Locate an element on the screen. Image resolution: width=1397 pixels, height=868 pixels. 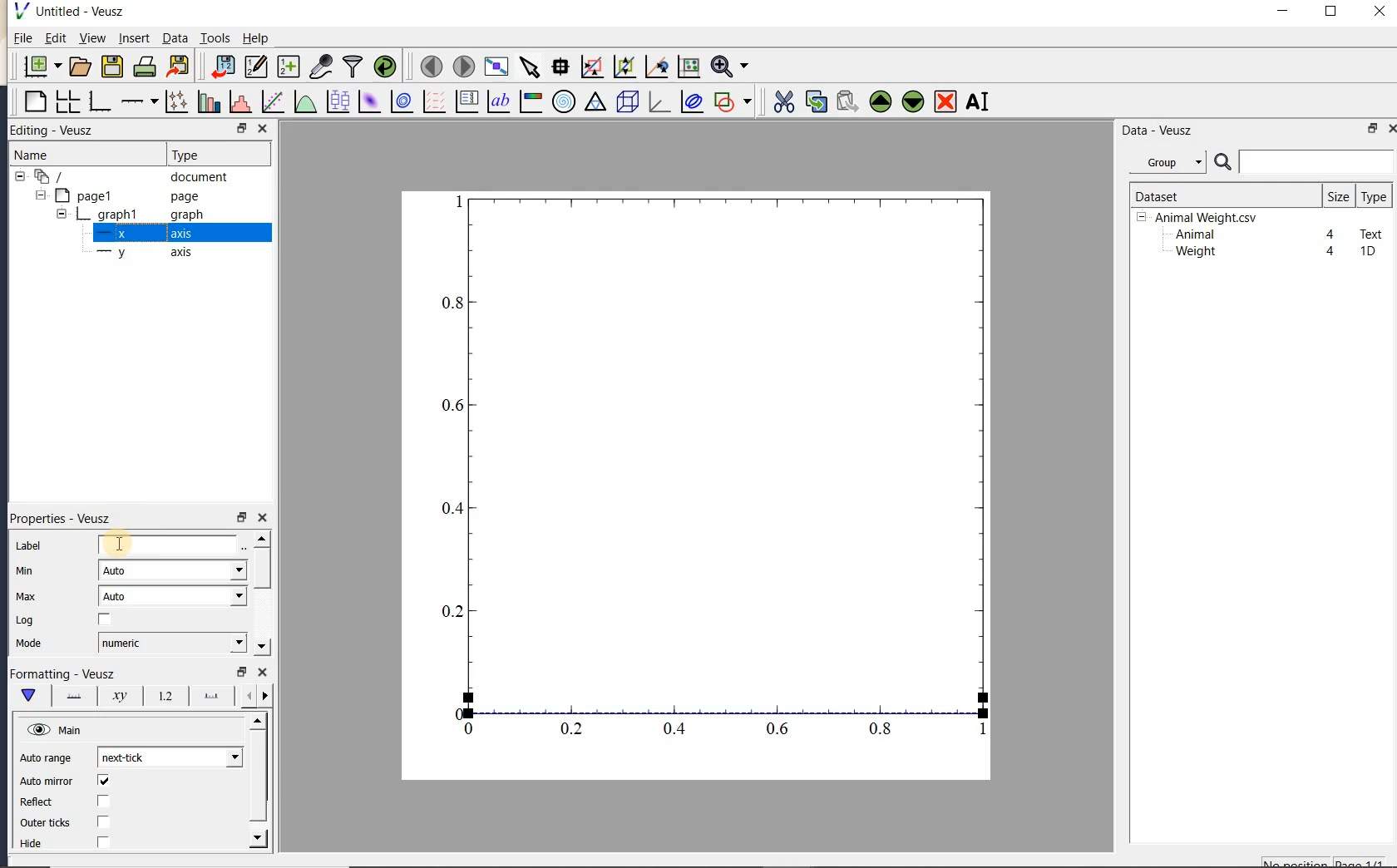
histogram of a dataset is located at coordinates (239, 101).